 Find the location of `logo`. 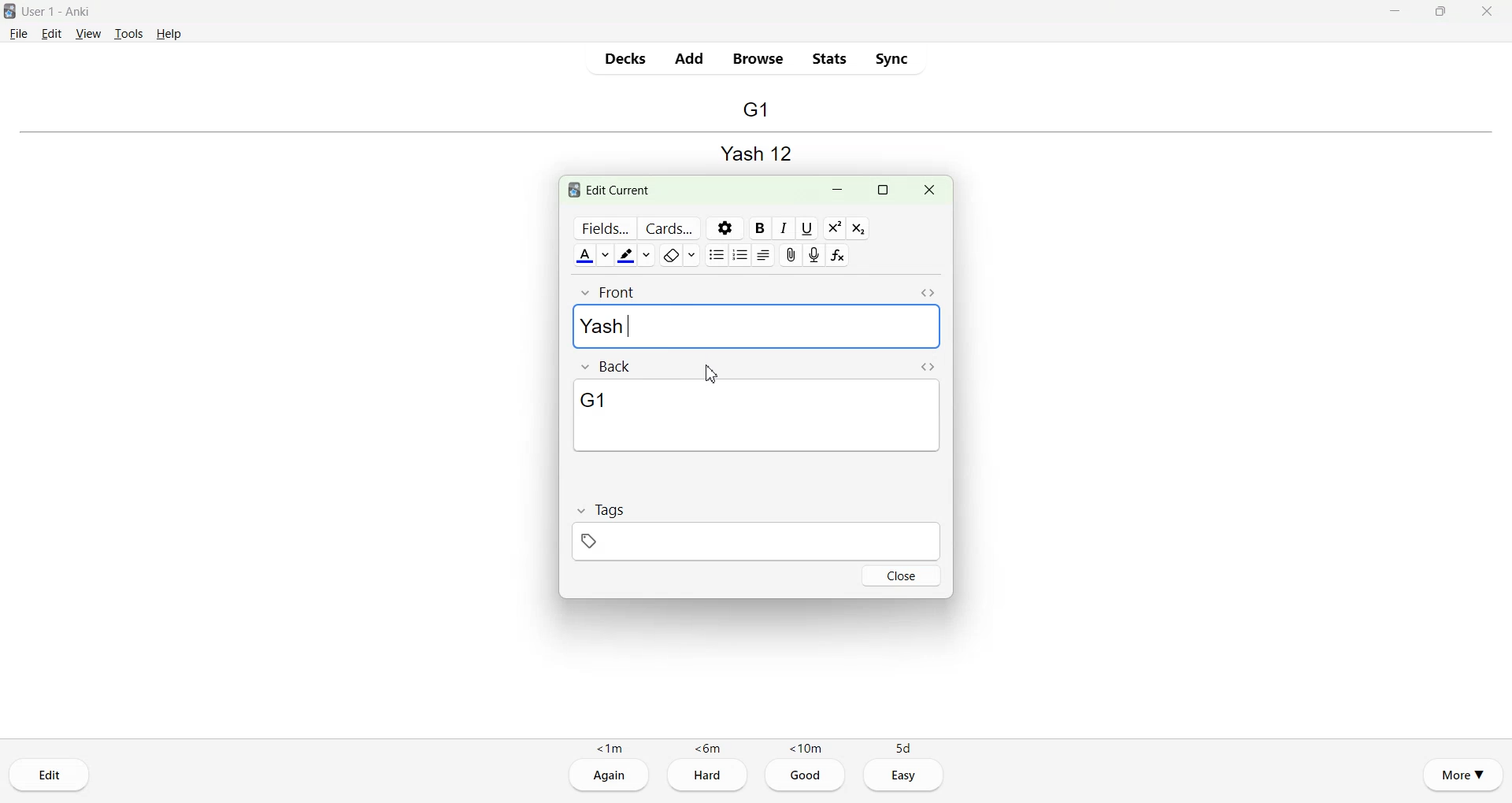

logo is located at coordinates (571, 191).